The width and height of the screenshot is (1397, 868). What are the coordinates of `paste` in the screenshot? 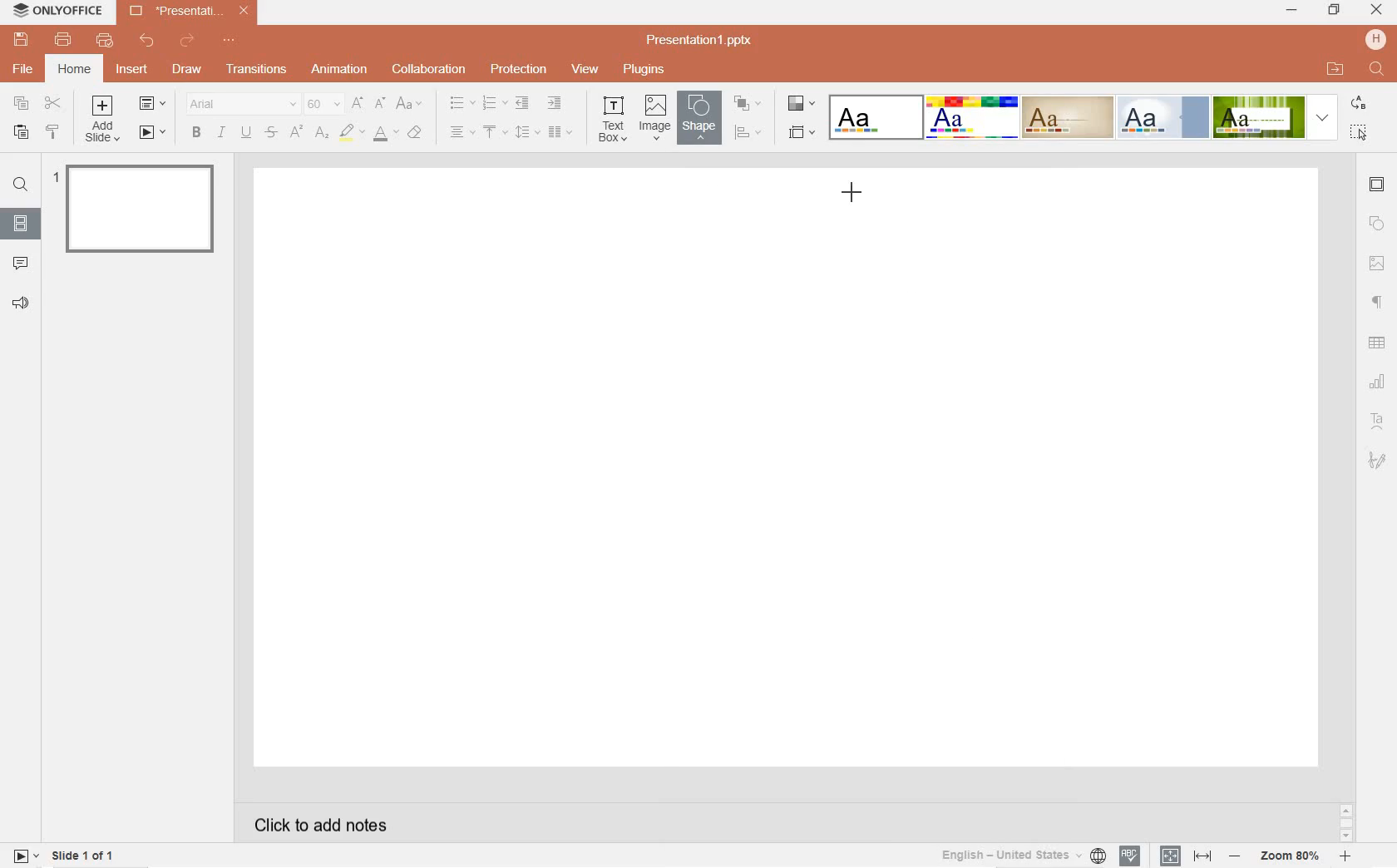 It's located at (18, 133).